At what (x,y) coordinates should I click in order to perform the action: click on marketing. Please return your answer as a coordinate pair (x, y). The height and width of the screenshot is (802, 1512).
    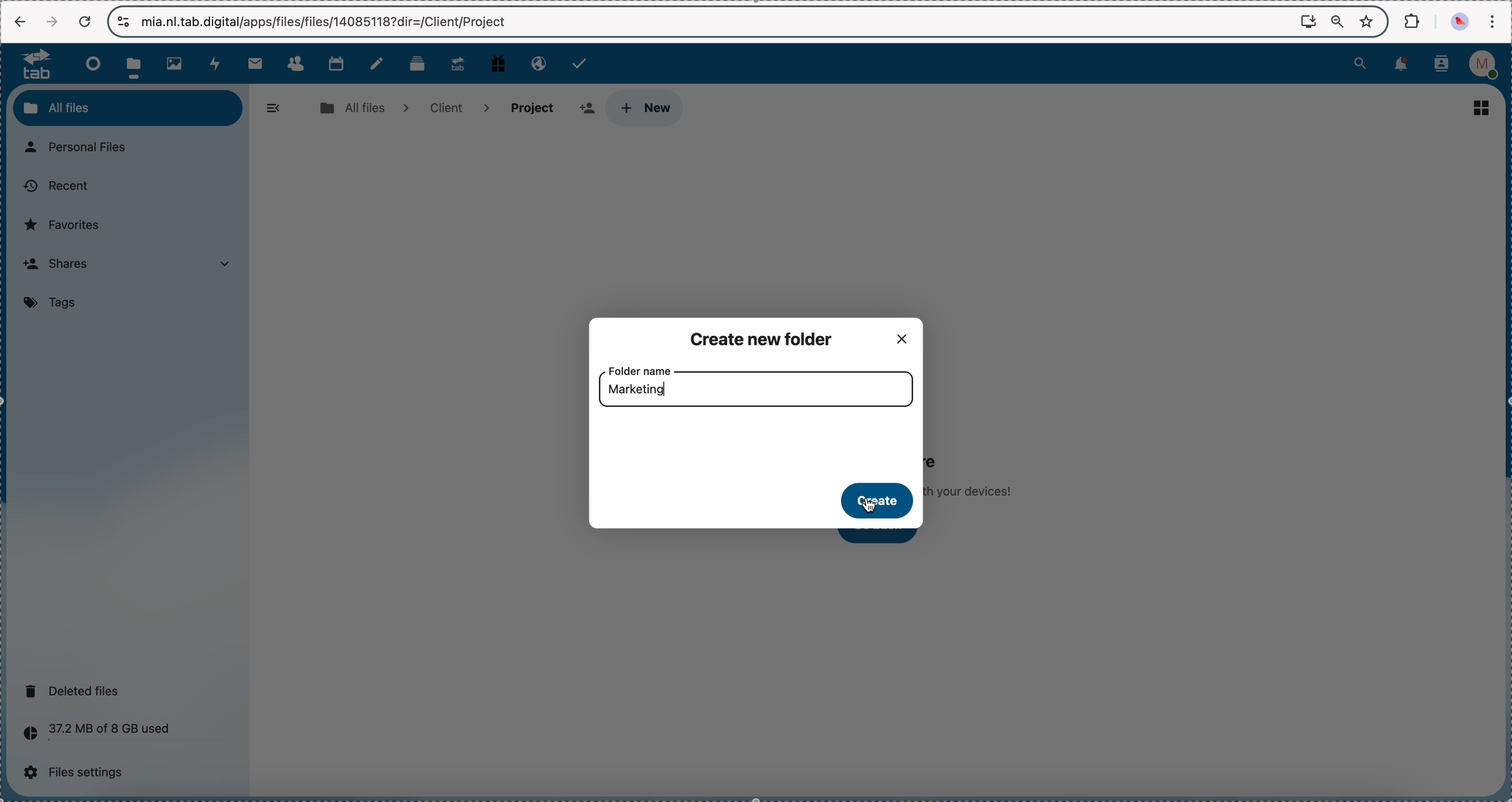
    Looking at the image, I should click on (640, 394).